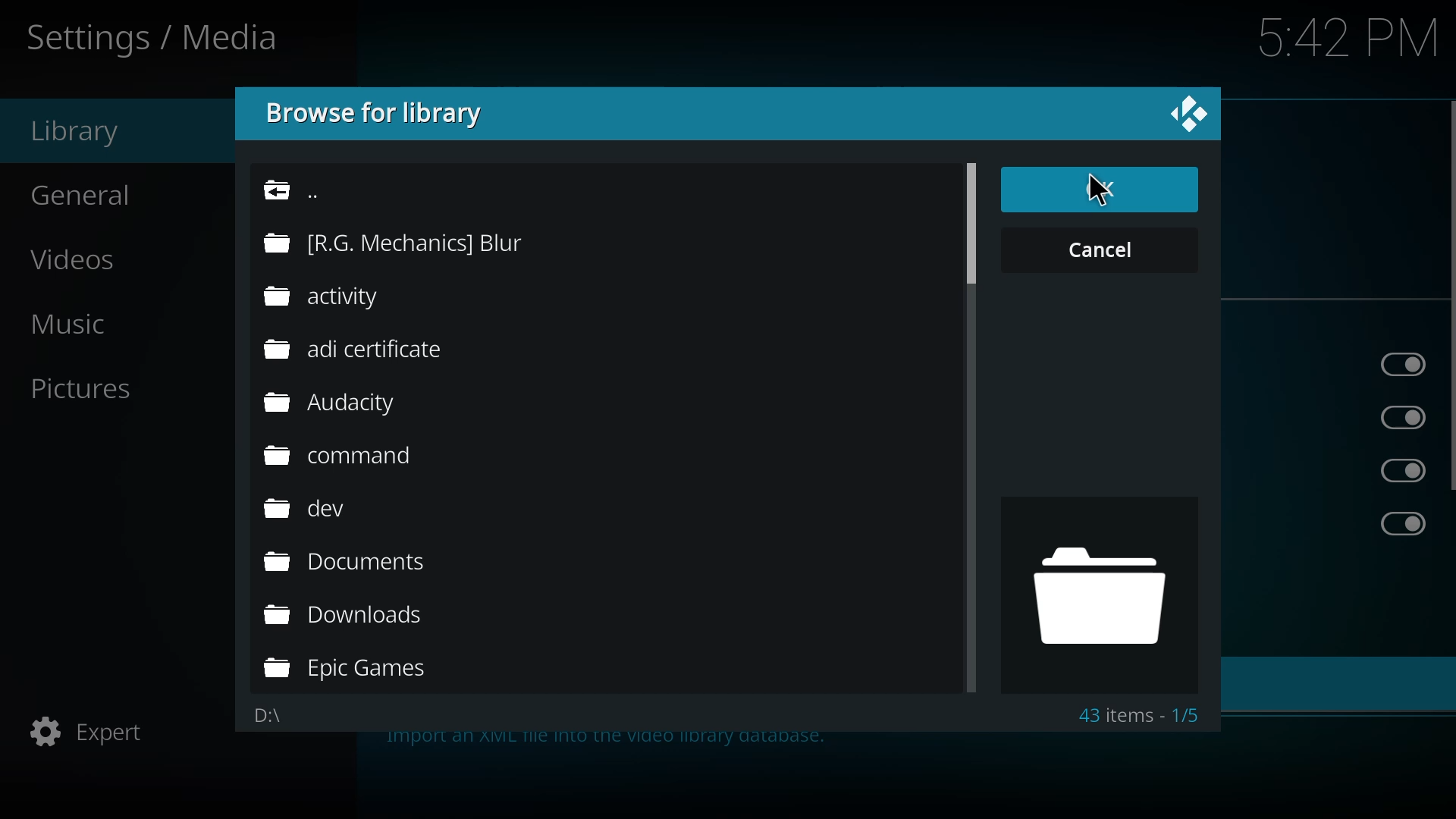 The height and width of the screenshot is (819, 1456). What do you see at coordinates (91, 192) in the screenshot?
I see `general` at bounding box center [91, 192].